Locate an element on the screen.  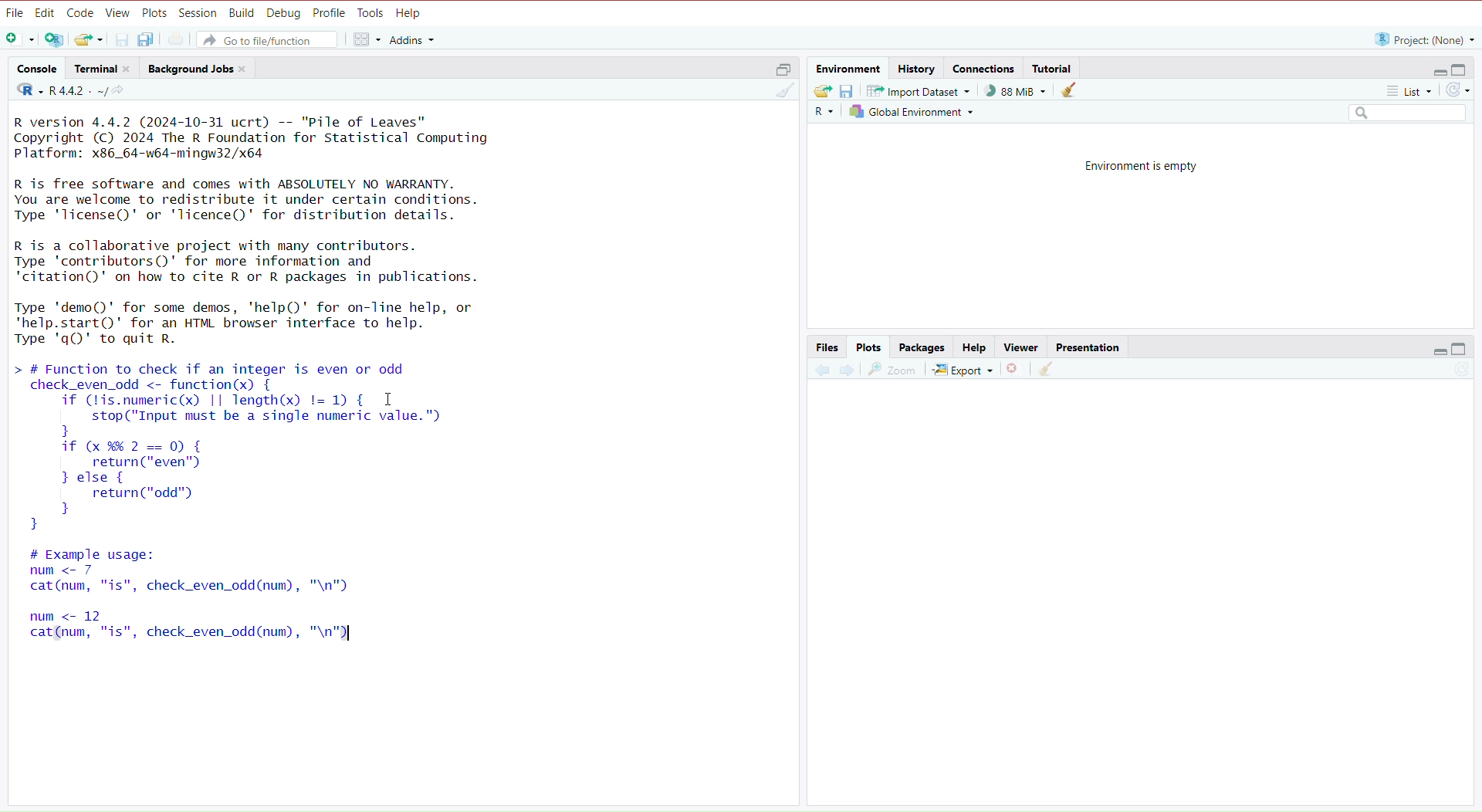
workspace panes is located at coordinates (365, 40).